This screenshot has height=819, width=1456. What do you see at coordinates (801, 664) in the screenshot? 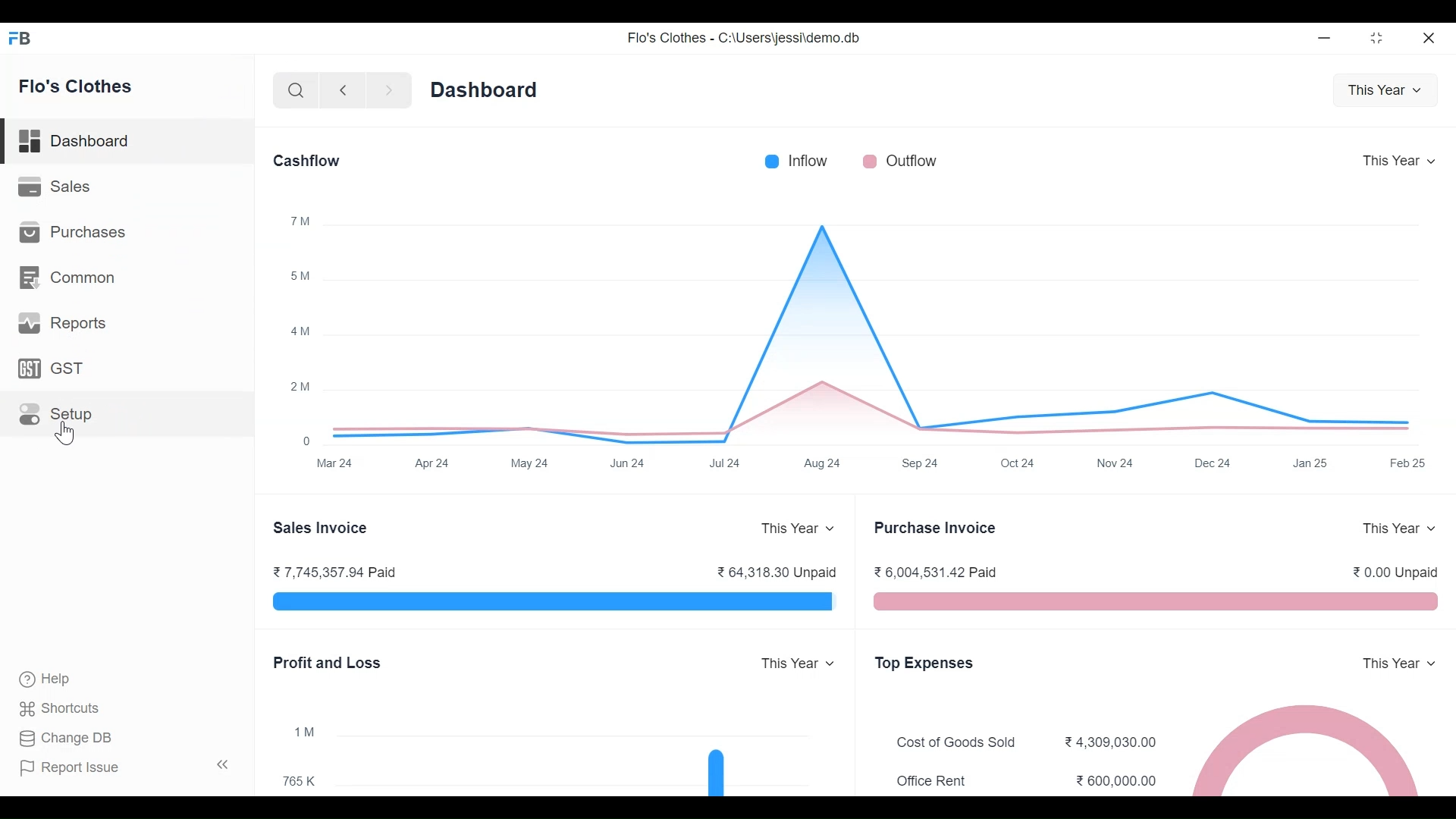
I see `This Year` at bounding box center [801, 664].